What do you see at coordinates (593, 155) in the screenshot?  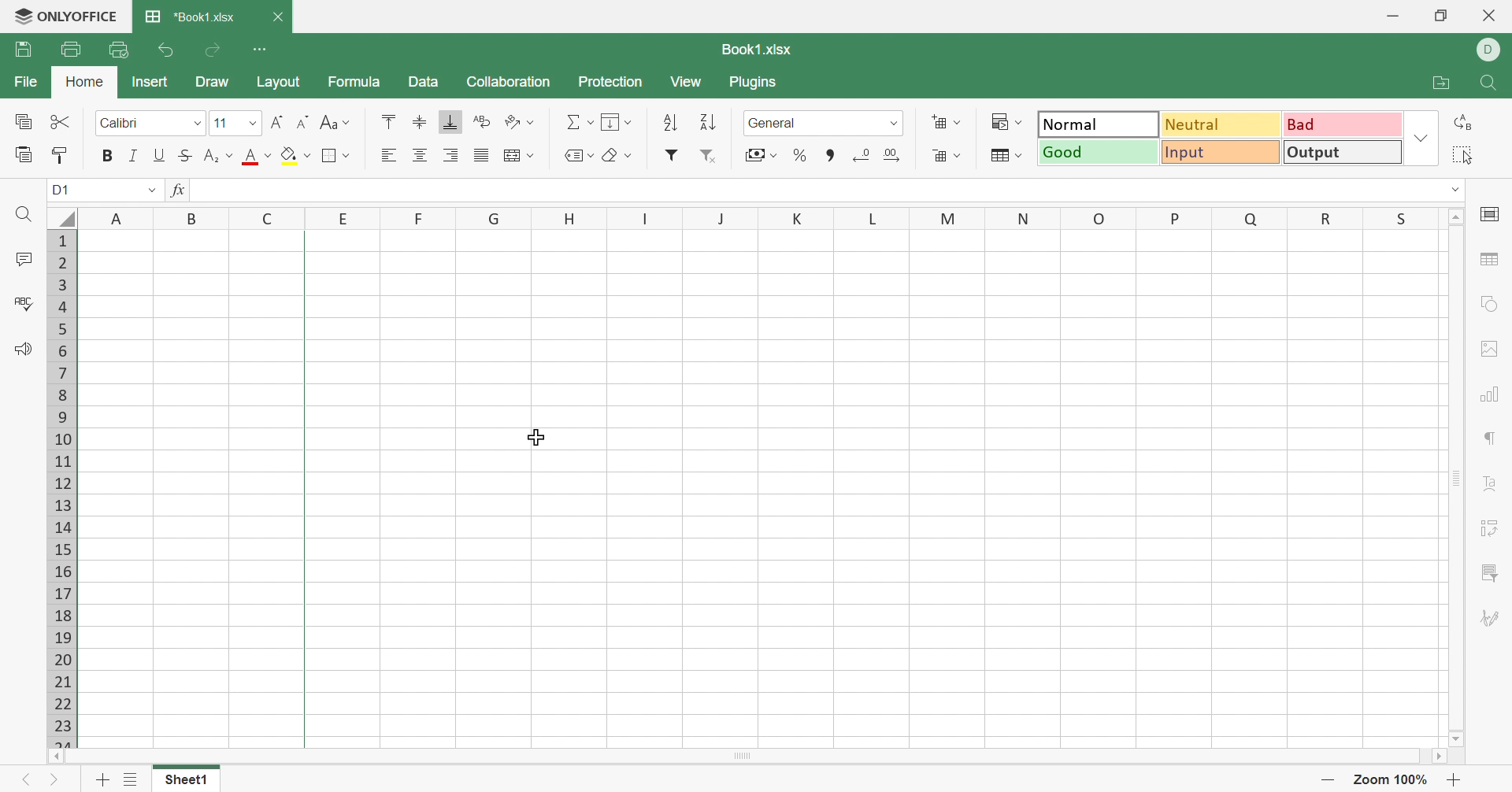 I see `Drop Down` at bounding box center [593, 155].